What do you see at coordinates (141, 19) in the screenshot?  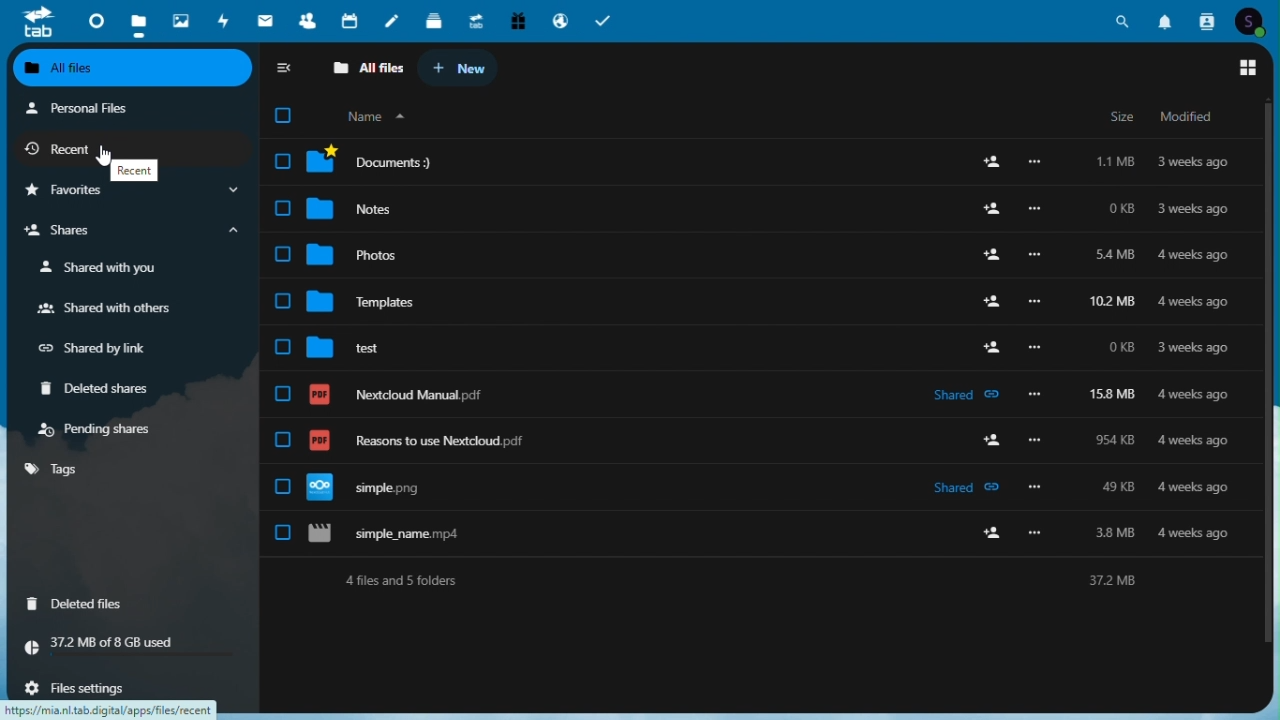 I see `Files` at bounding box center [141, 19].